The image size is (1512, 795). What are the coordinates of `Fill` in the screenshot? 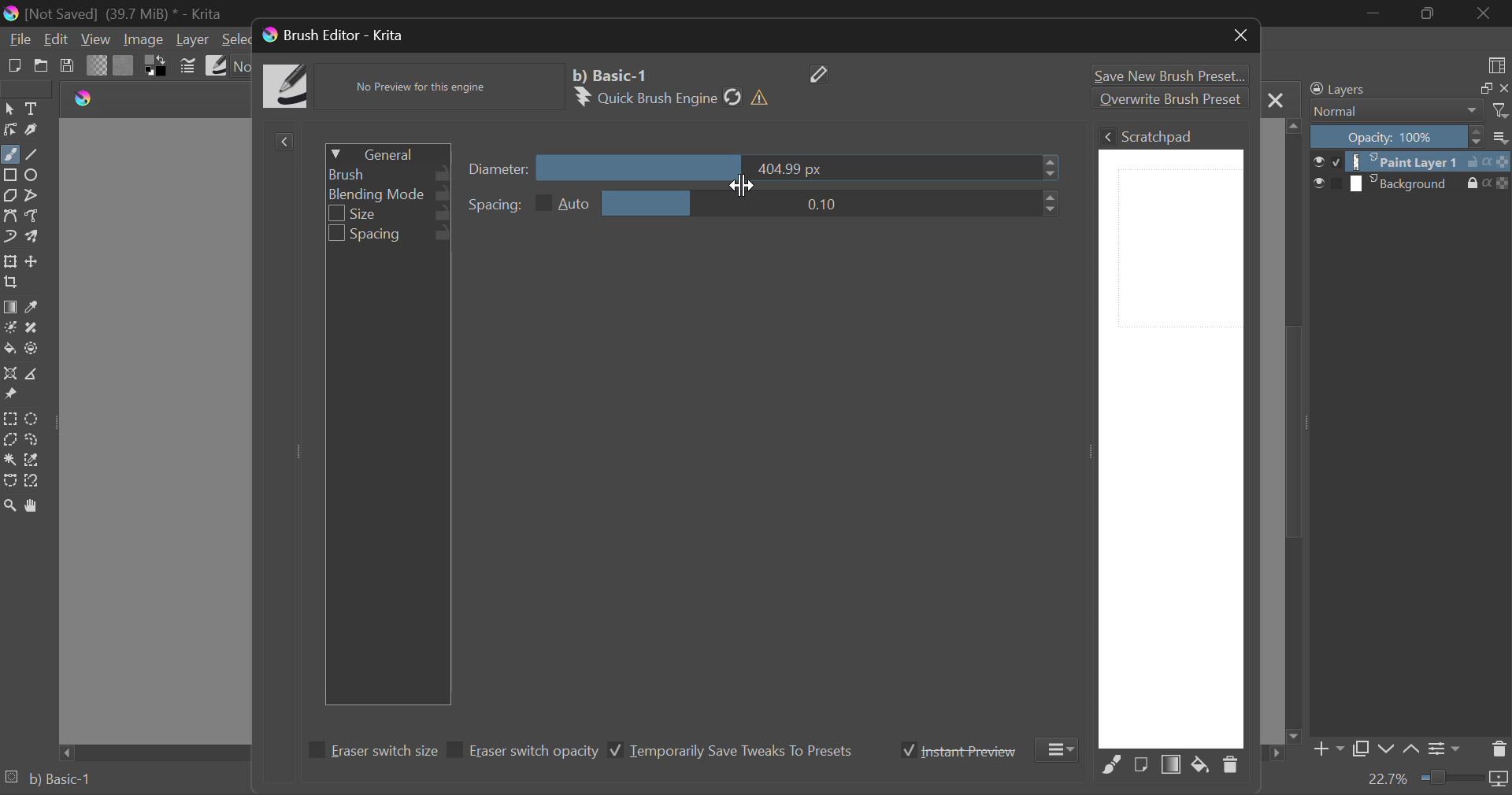 It's located at (10, 349).